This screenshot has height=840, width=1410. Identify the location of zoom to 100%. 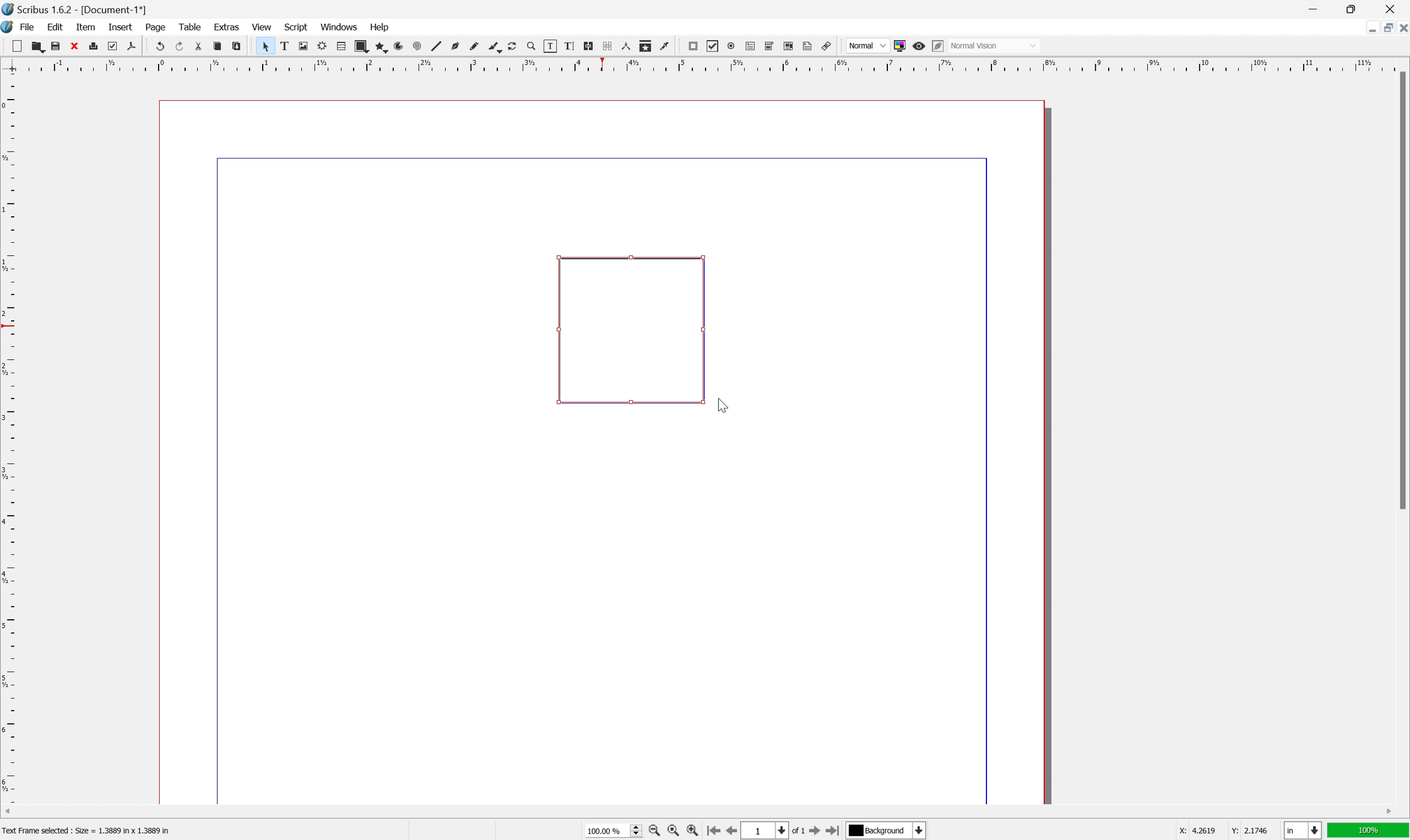
(673, 831).